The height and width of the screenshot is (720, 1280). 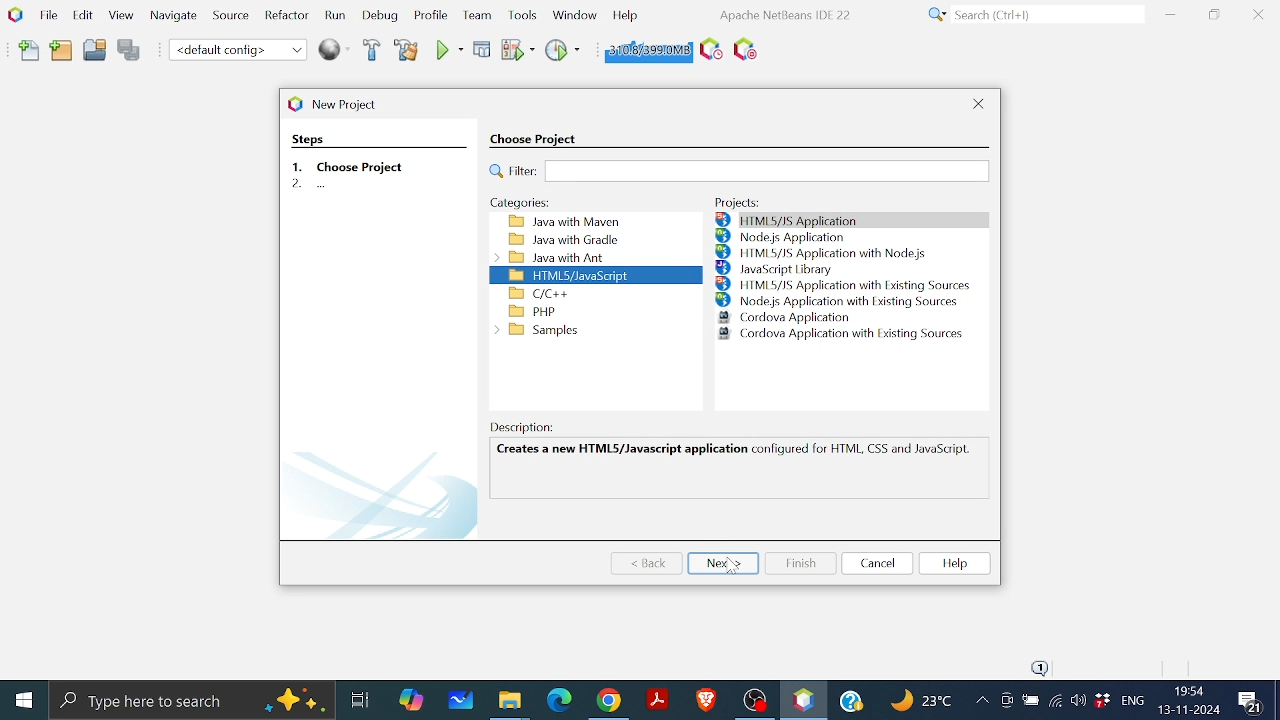 What do you see at coordinates (843, 334) in the screenshot?
I see `Cordova Application with Existing Sources` at bounding box center [843, 334].